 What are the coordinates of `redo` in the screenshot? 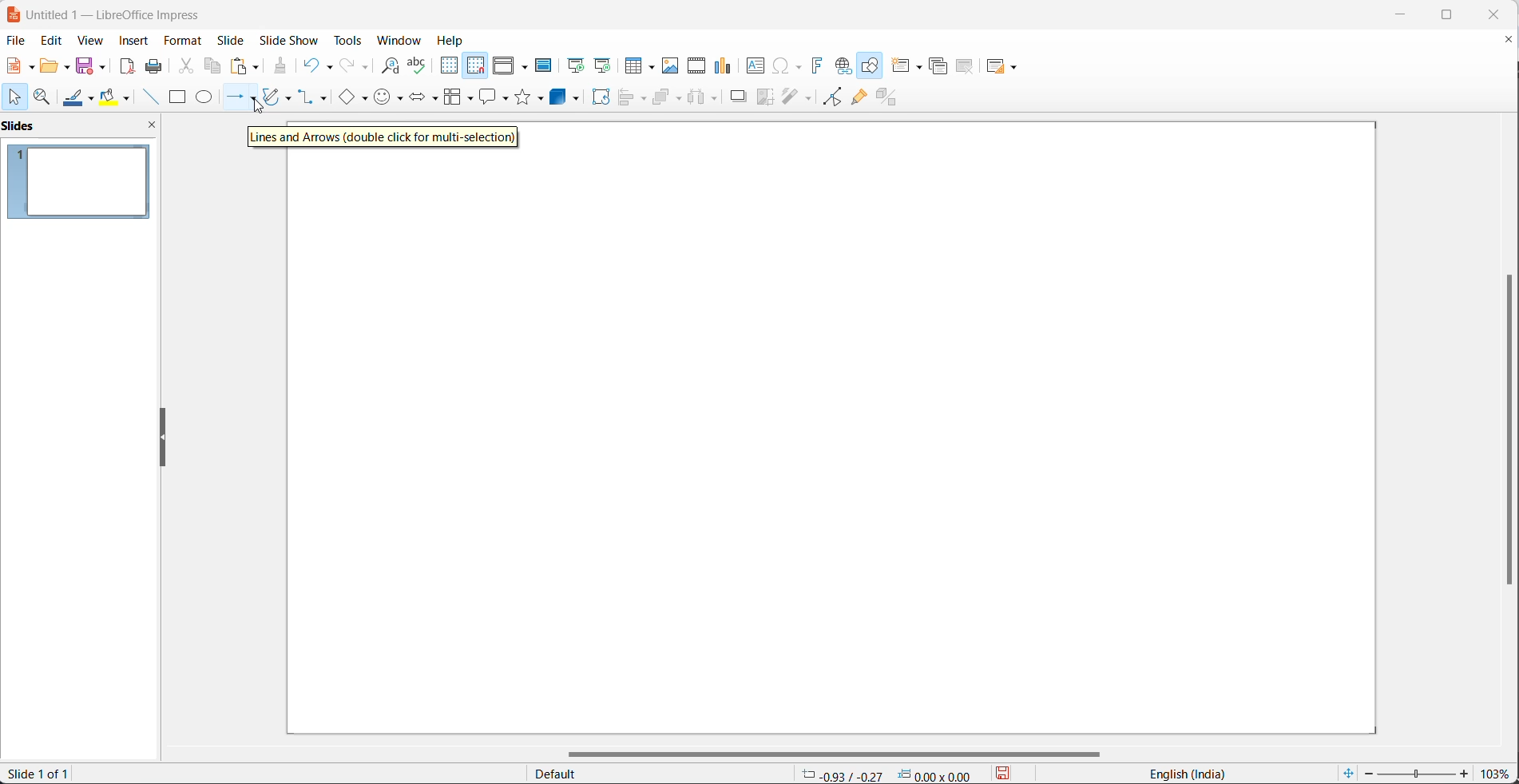 It's located at (351, 66).